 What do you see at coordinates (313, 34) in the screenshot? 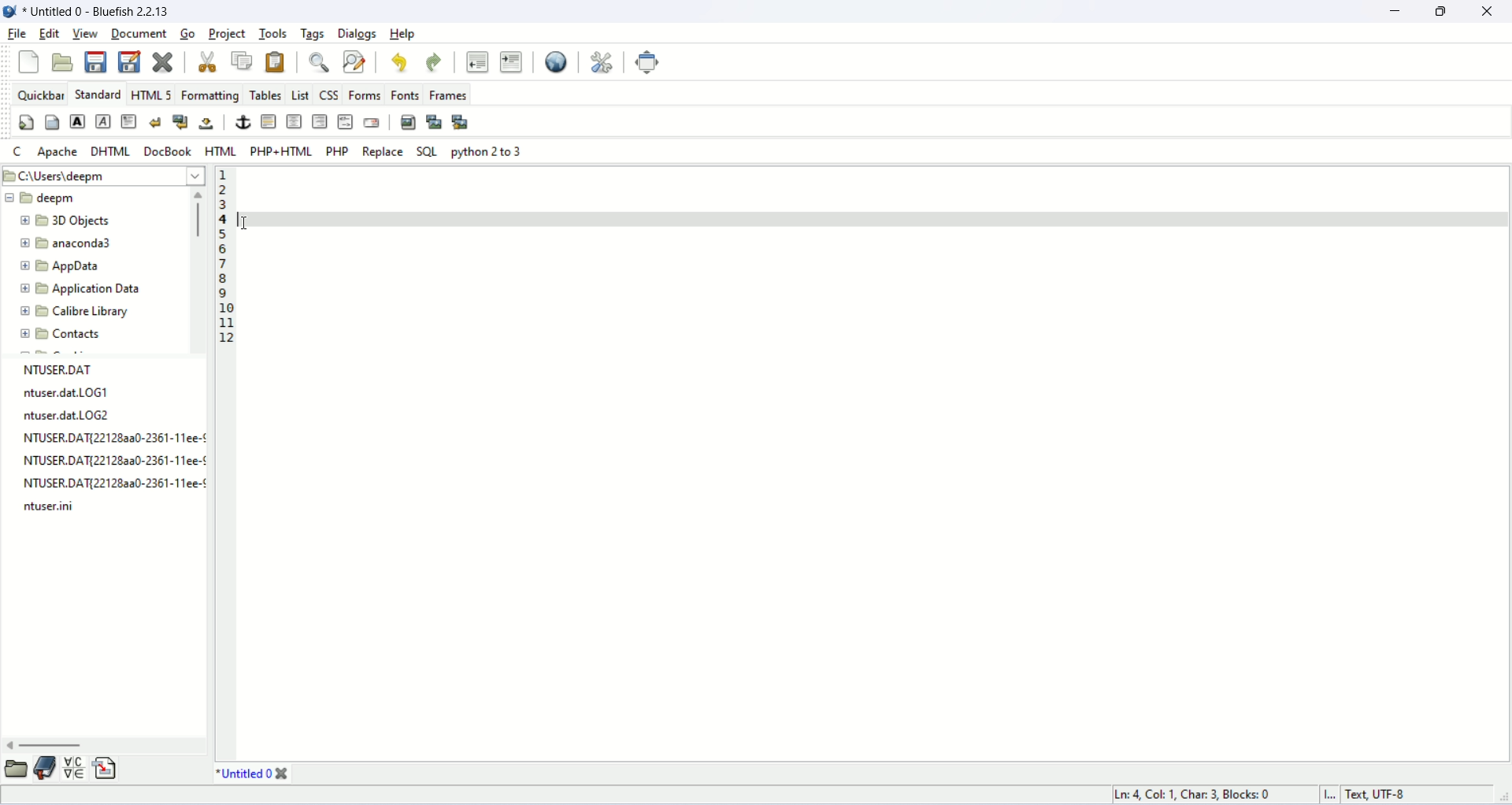
I see `tags` at bounding box center [313, 34].